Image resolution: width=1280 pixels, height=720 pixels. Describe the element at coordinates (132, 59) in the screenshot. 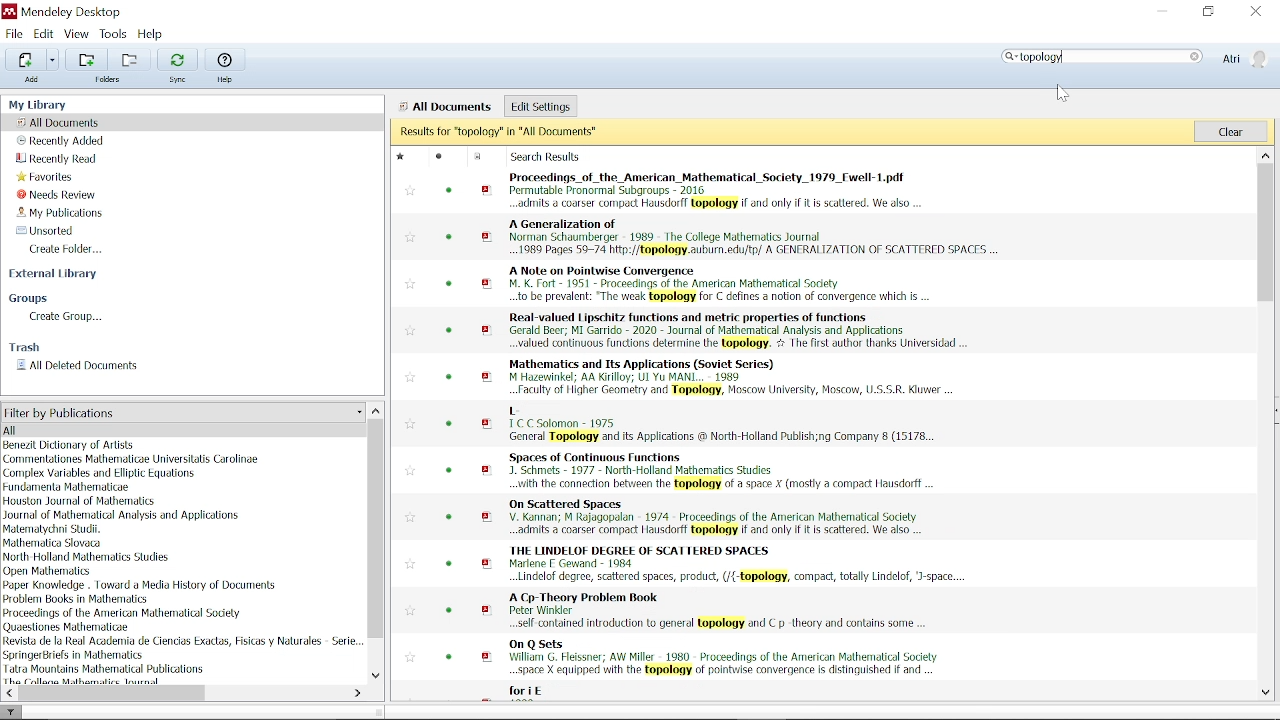

I see `Add folder` at that location.